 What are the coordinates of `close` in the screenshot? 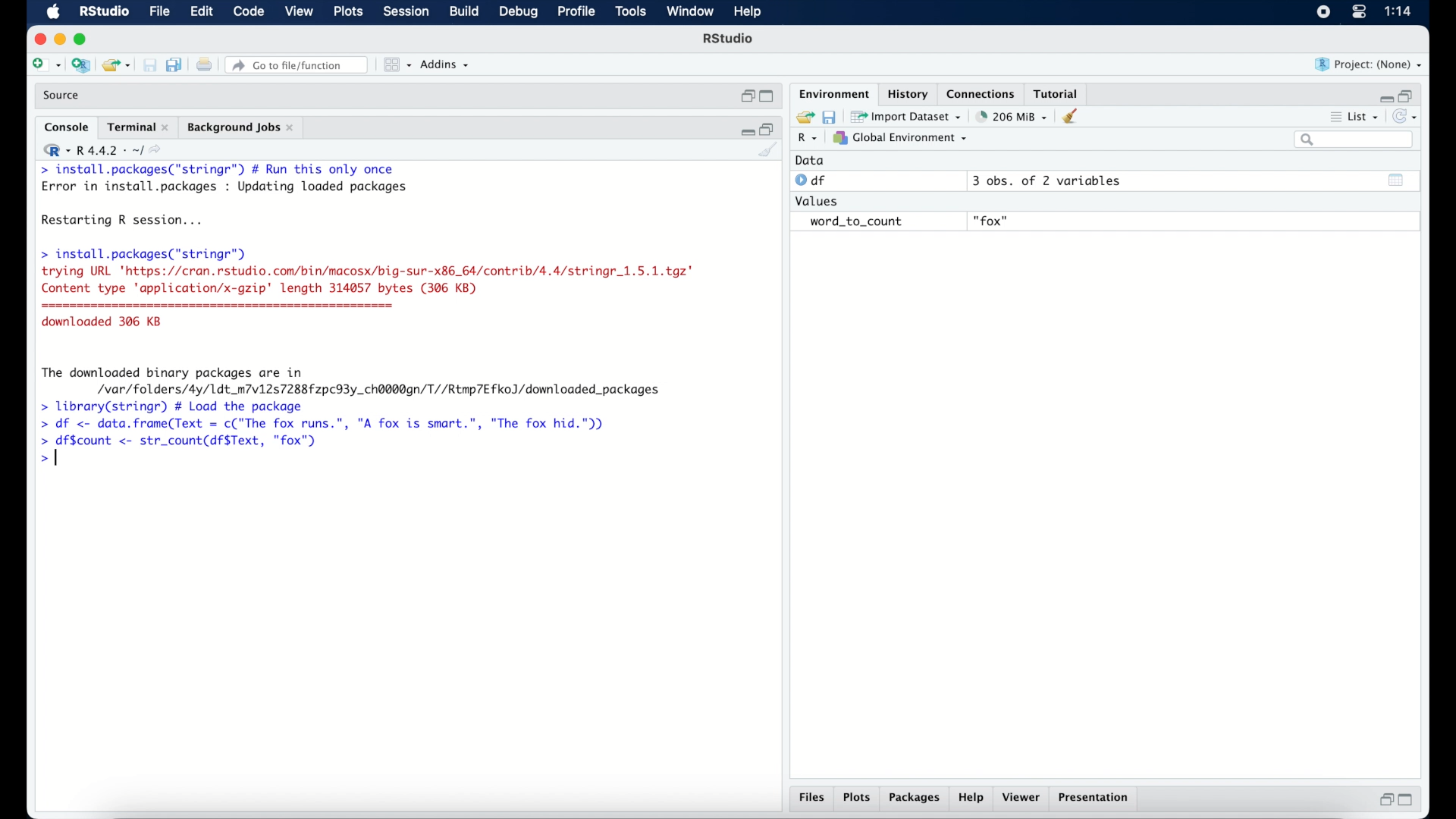 It's located at (38, 39).